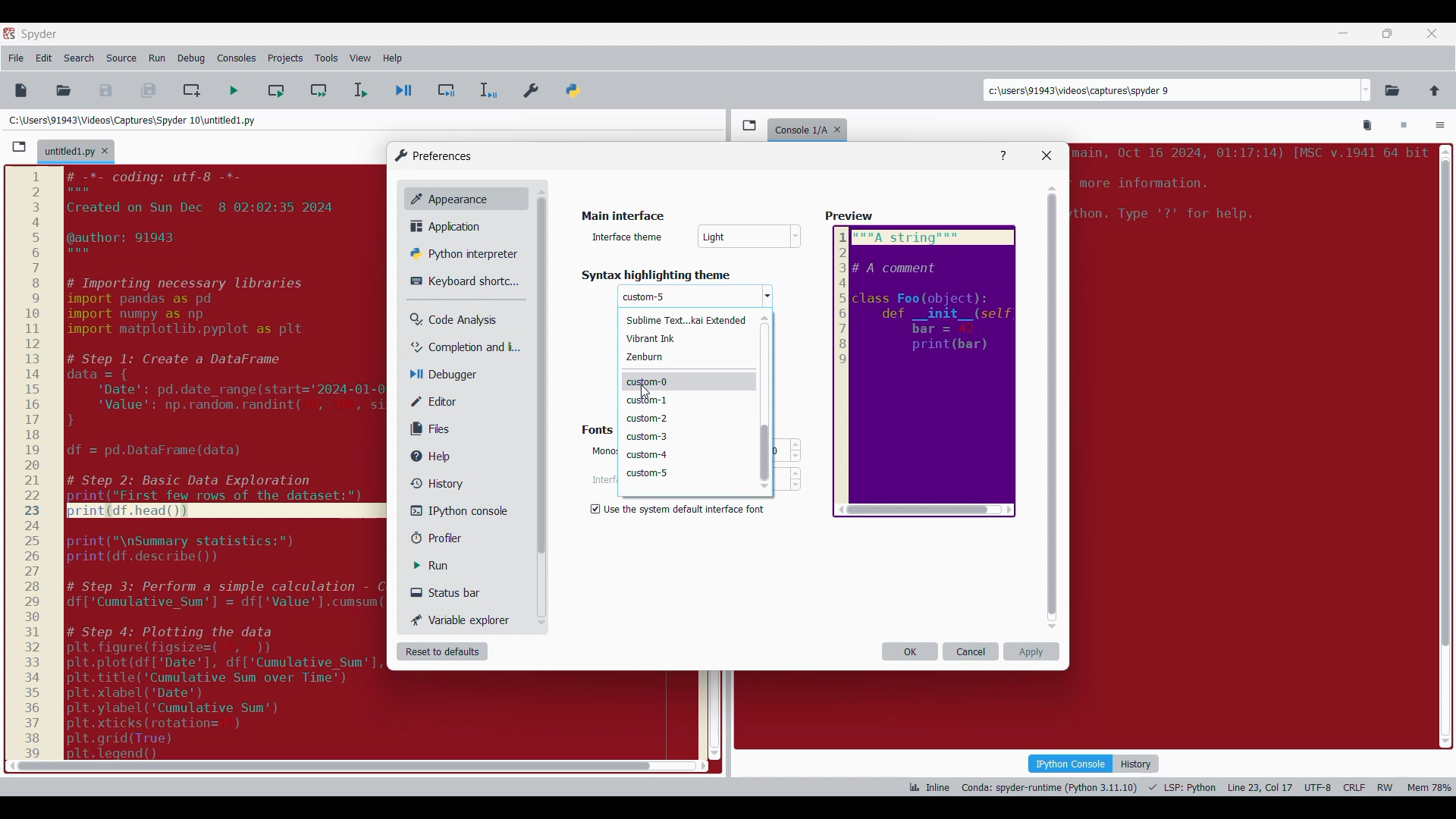  What do you see at coordinates (971, 651) in the screenshot?
I see `Cancel` at bounding box center [971, 651].